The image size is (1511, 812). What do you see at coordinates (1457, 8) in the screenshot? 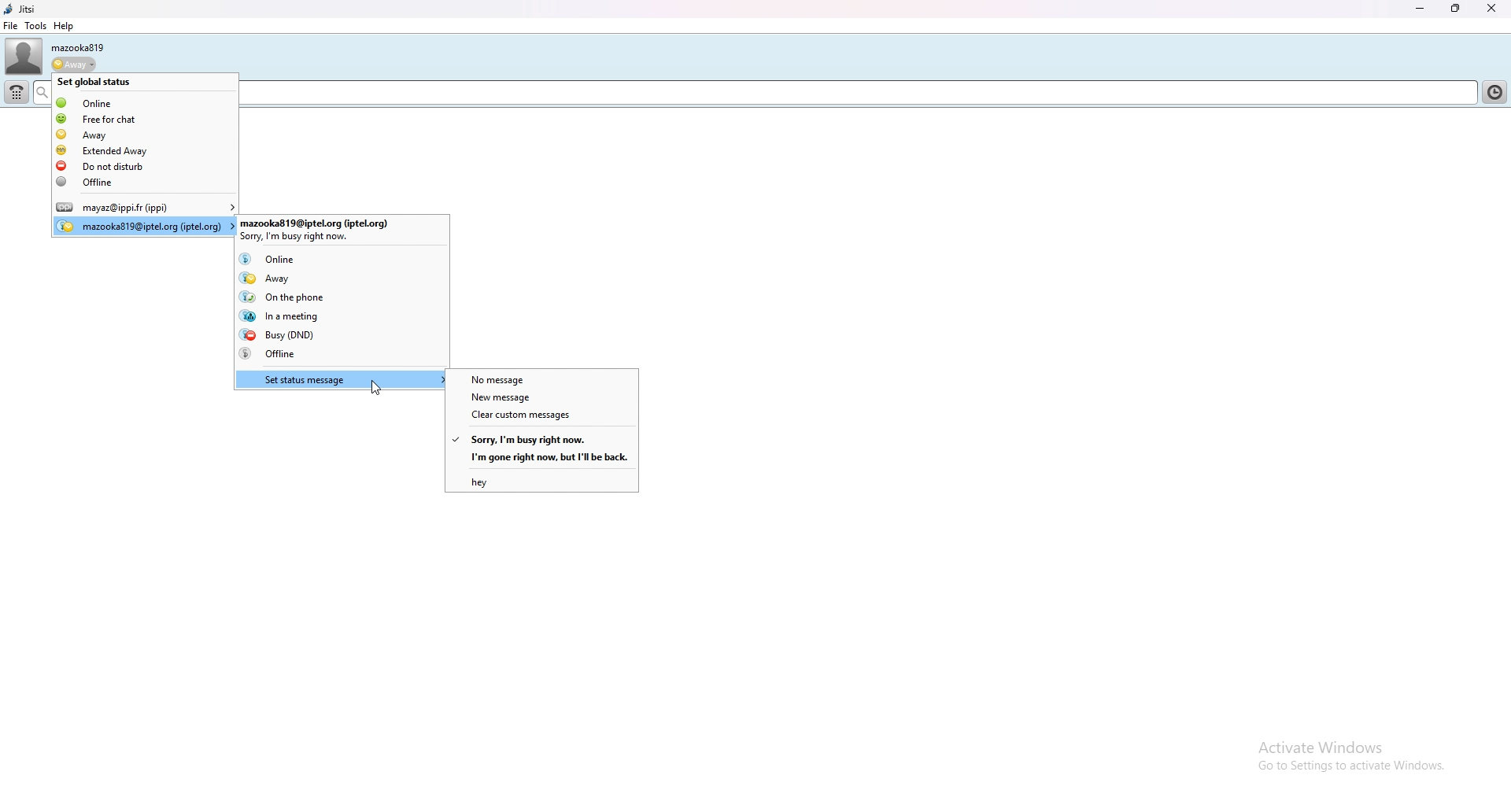
I see `resize` at bounding box center [1457, 8].